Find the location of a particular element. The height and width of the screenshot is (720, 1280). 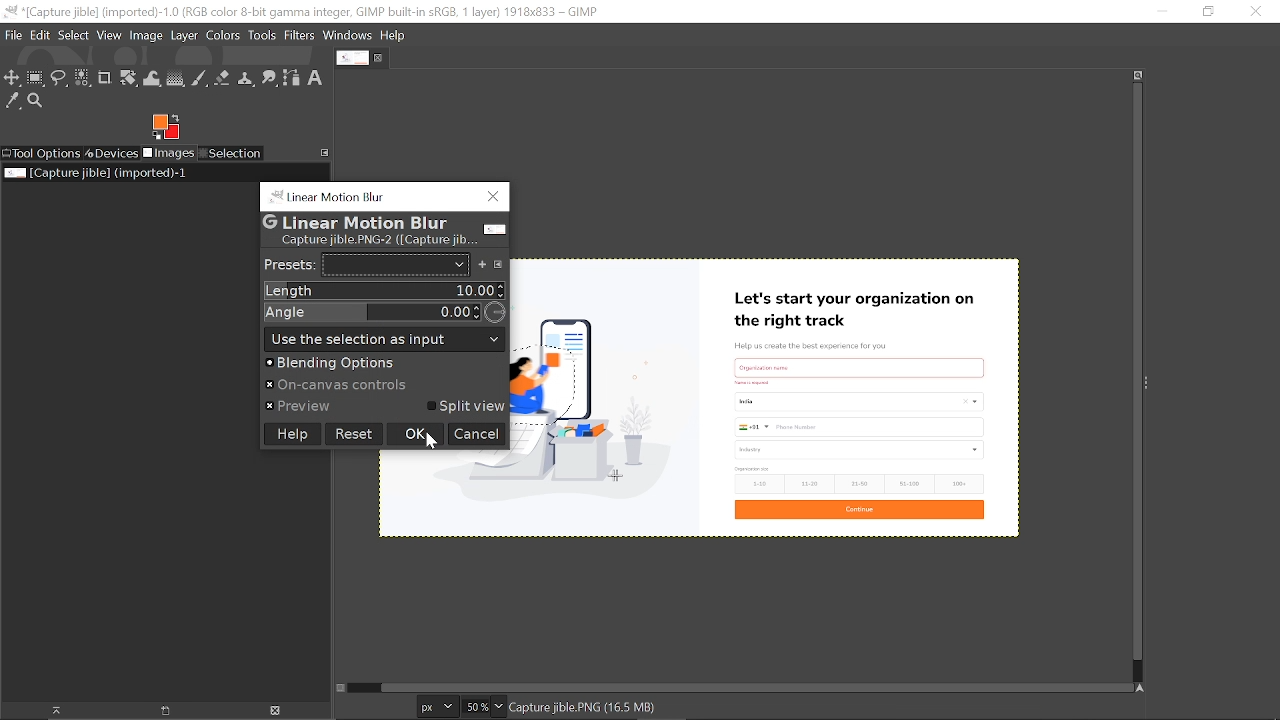

Cursor here is located at coordinates (441, 444).